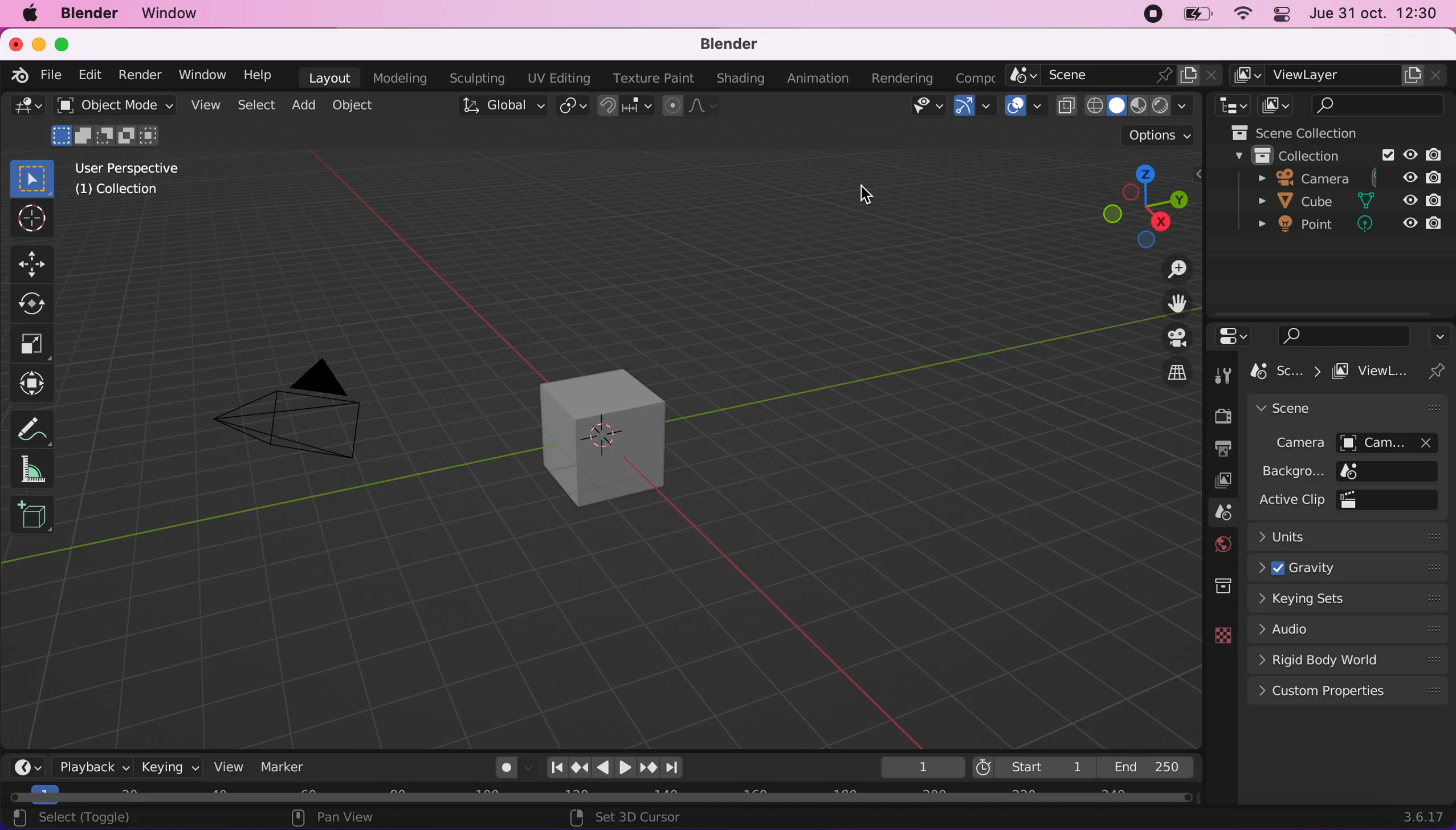 This screenshot has width=1456, height=830. Describe the element at coordinates (1221, 583) in the screenshot. I see `collection` at that location.